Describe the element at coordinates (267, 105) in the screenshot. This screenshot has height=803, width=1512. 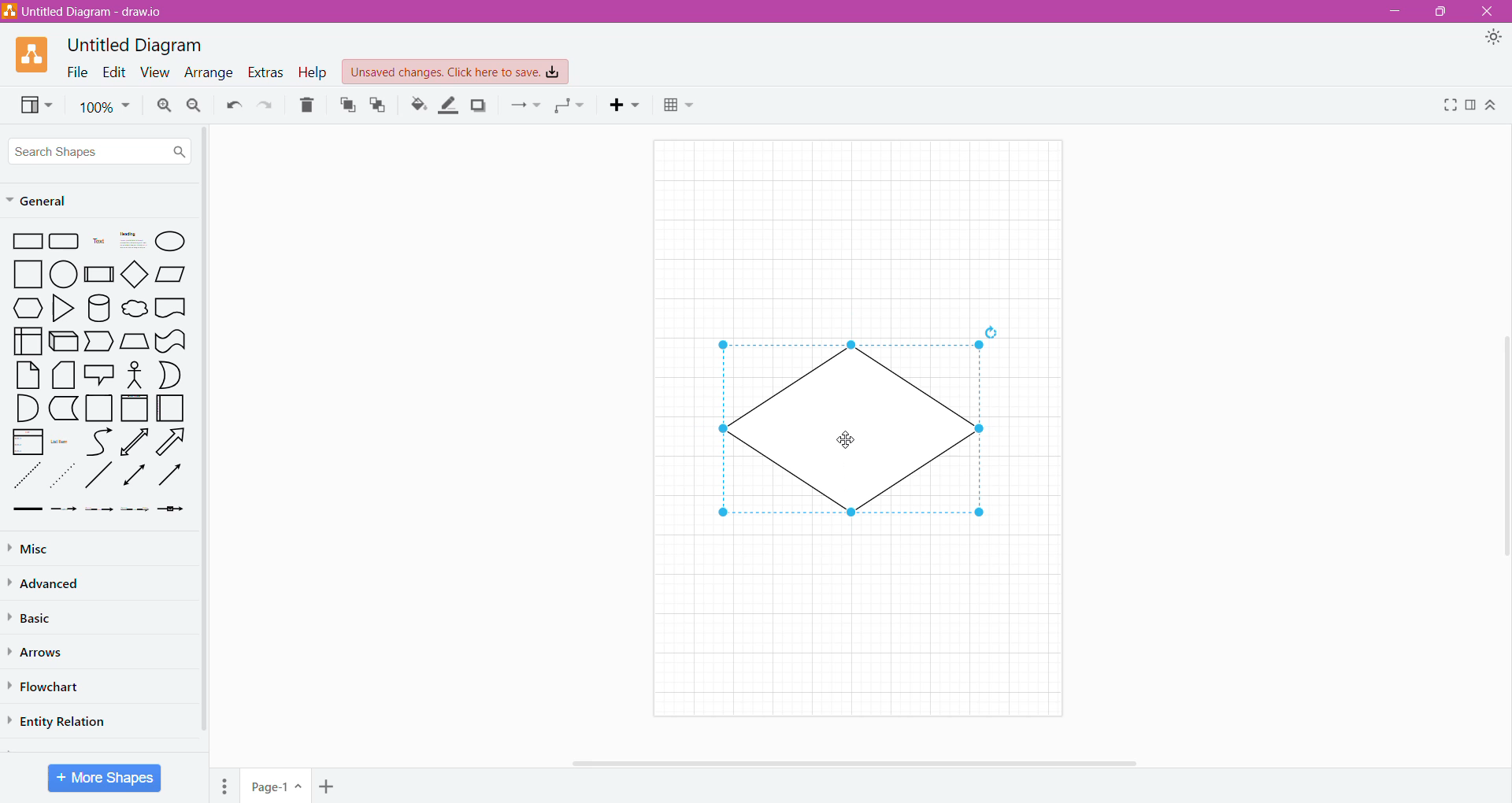
I see `Redo` at that location.